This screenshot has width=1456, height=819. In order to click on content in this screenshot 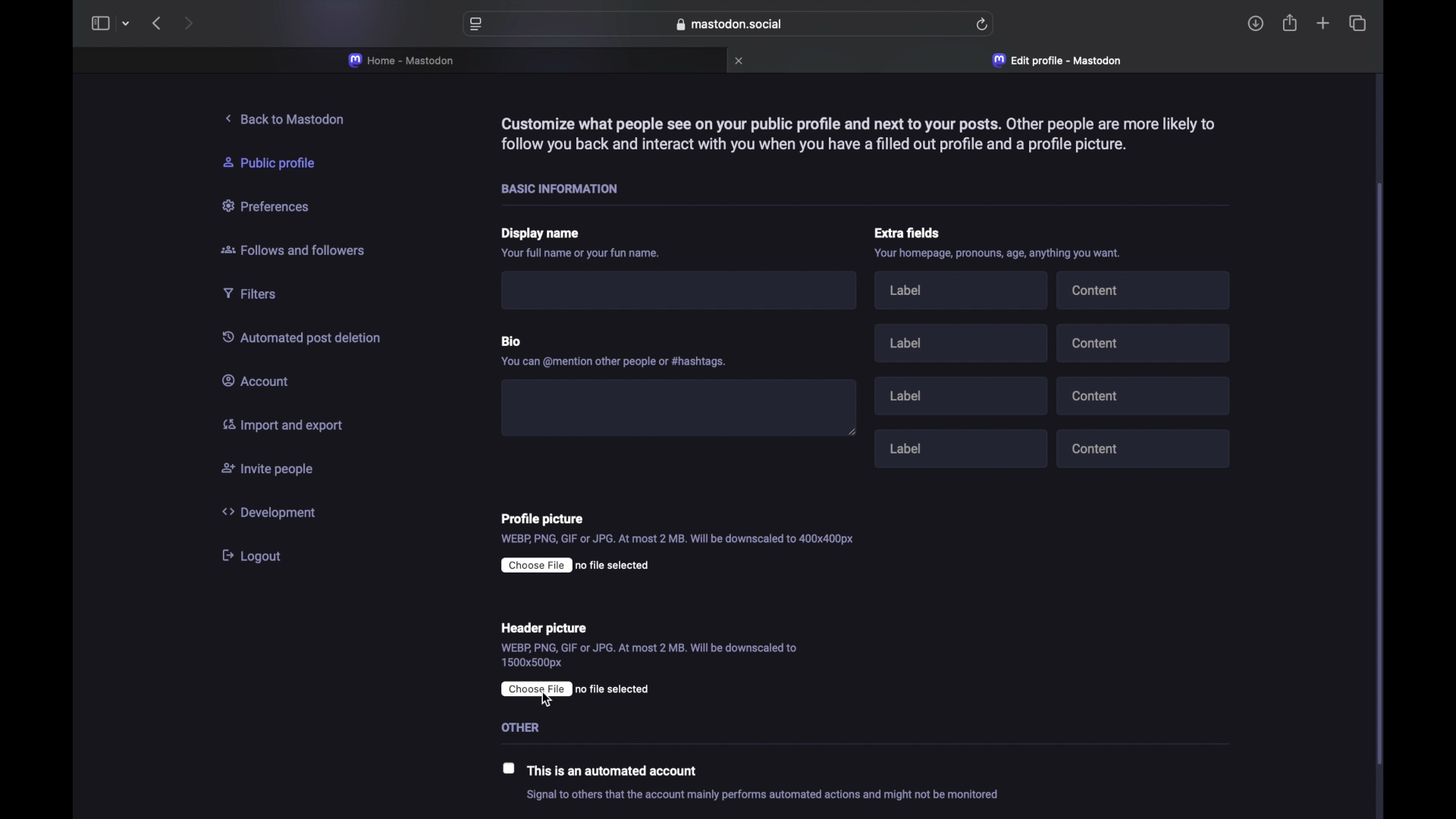, I will do `click(1148, 396)`.